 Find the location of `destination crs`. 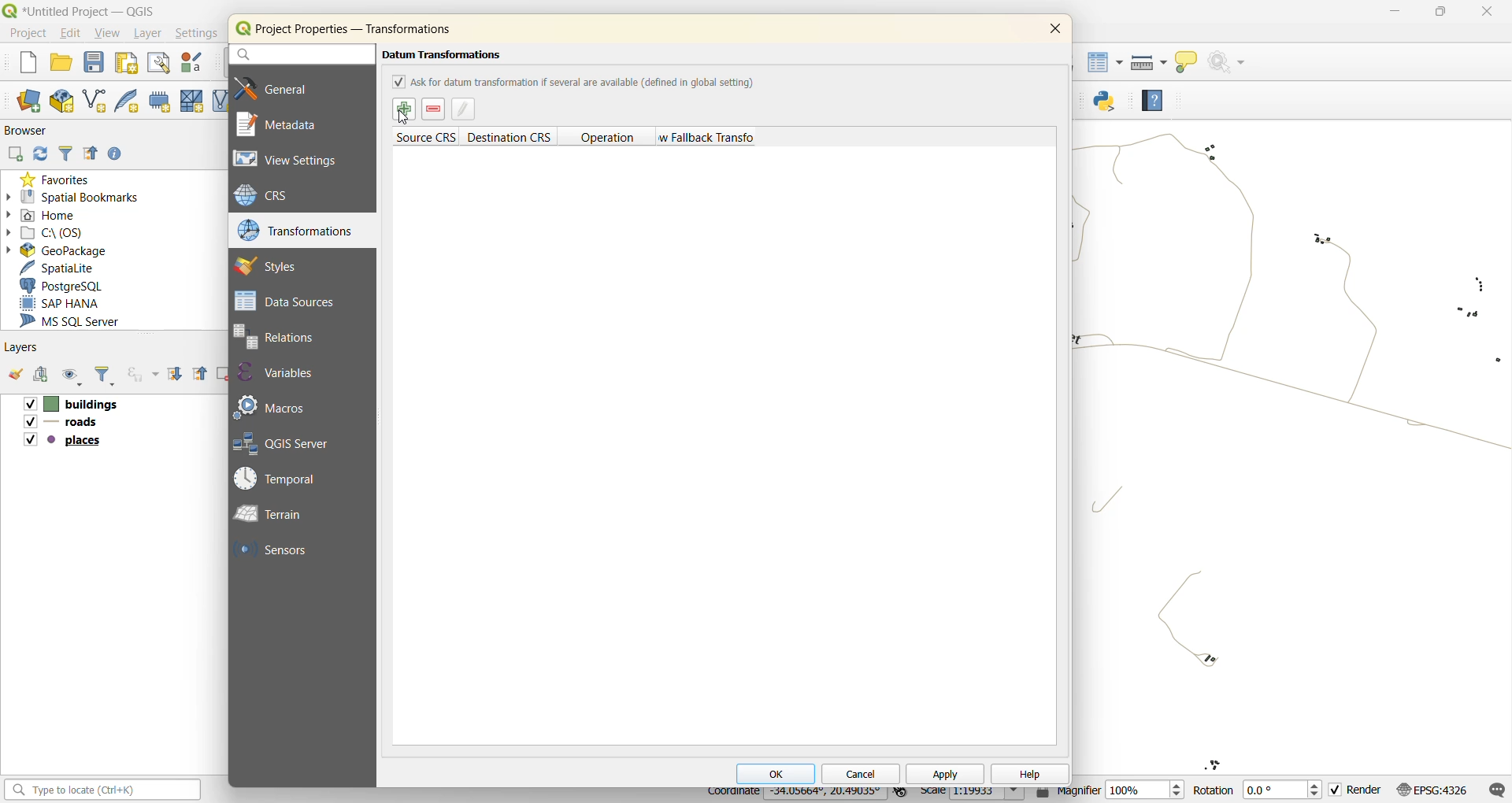

destination crs is located at coordinates (510, 135).